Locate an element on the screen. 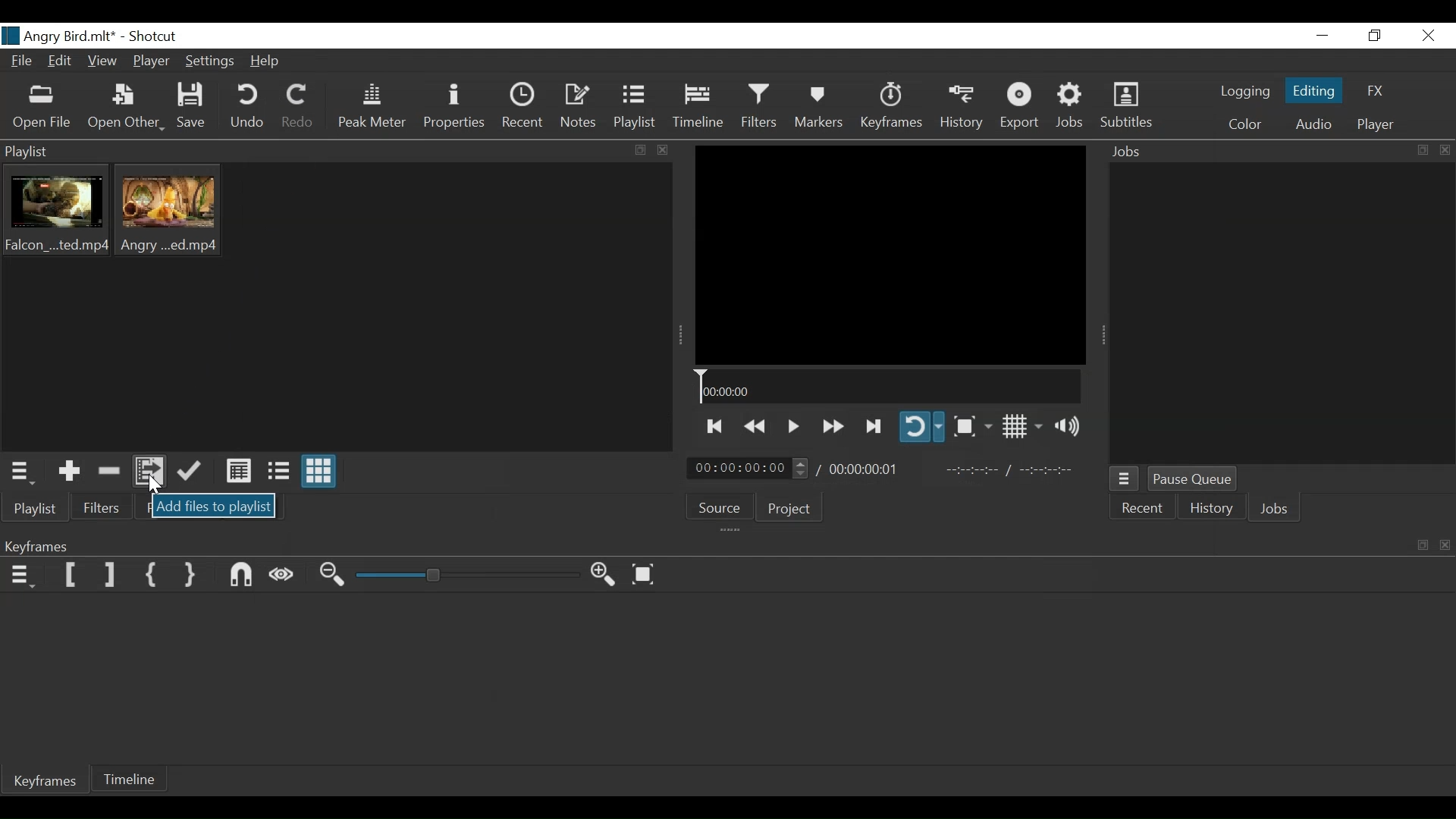 This screenshot has width=1456, height=819. Help is located at coordinates (266, 62).